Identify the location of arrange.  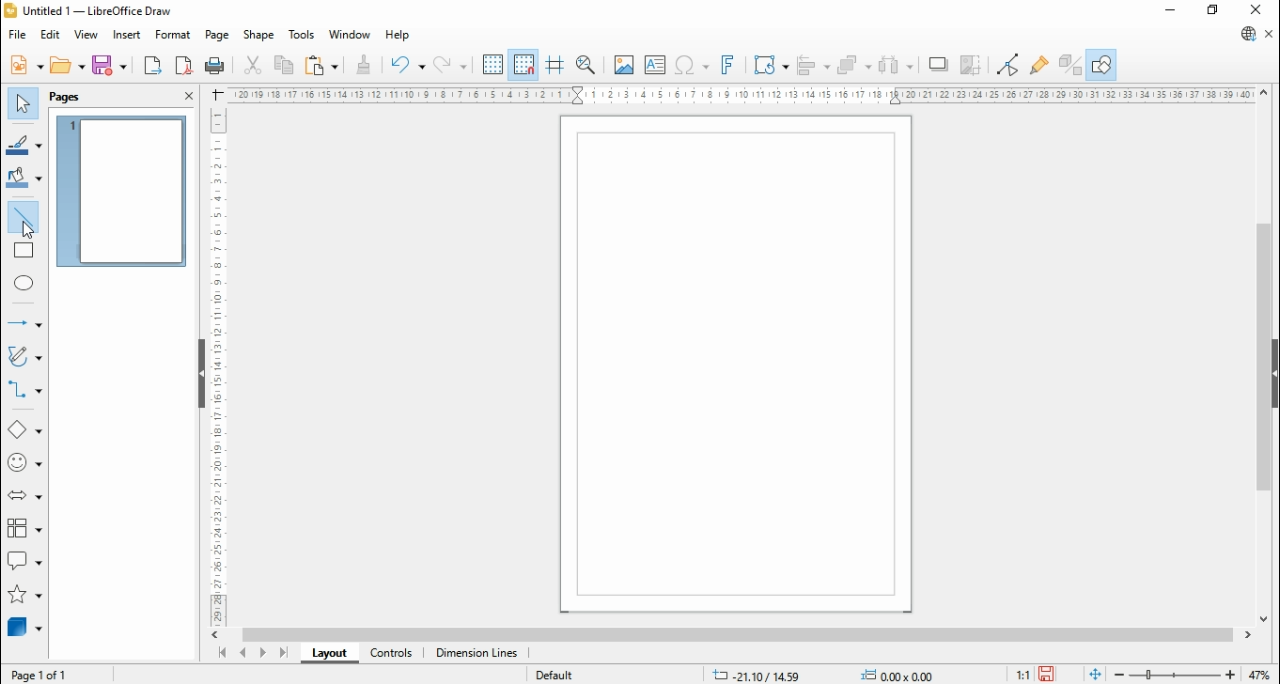
(856, 63).